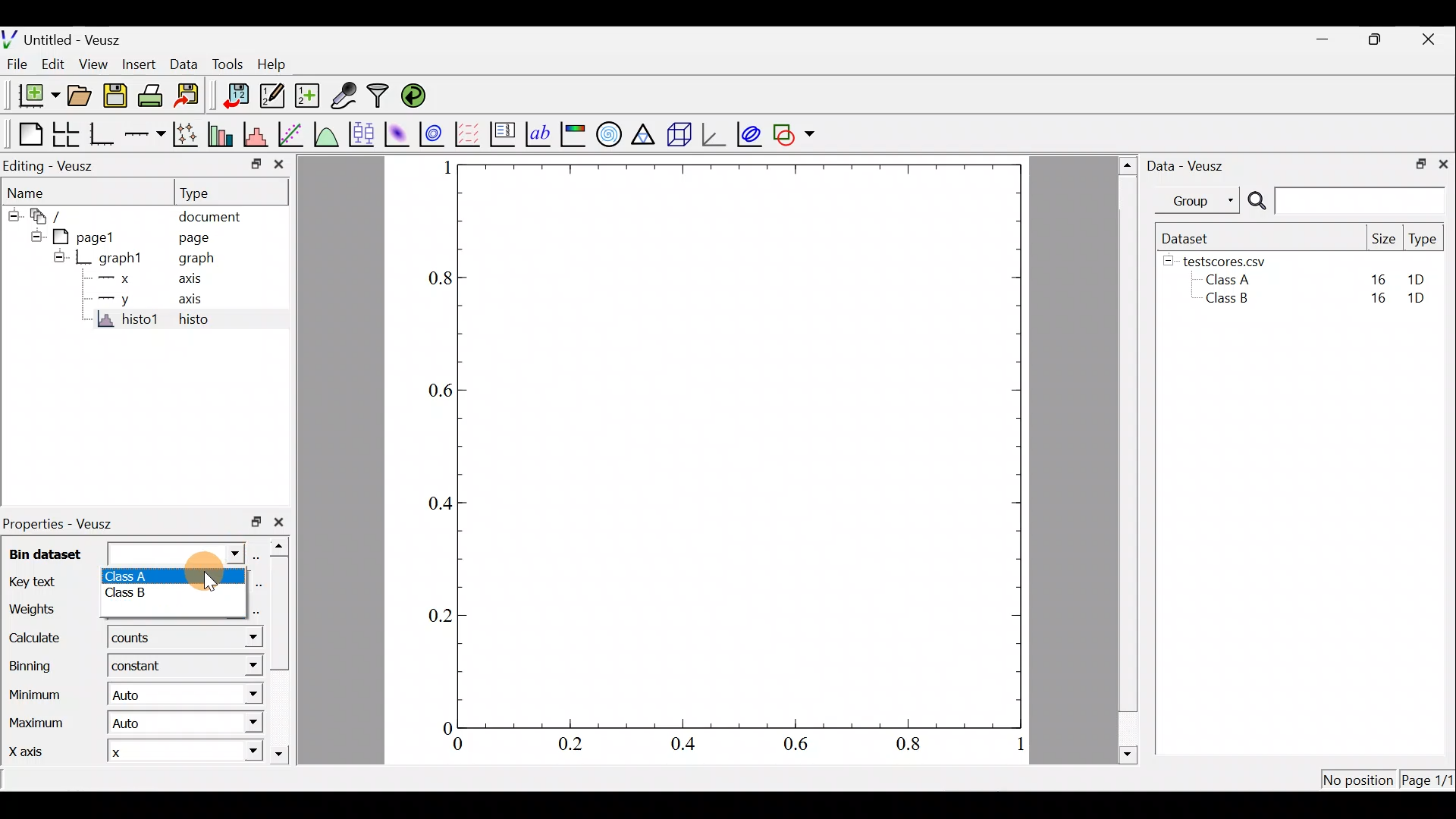 This screenshot has height=819, width=1456. I want to click on graph1, so click(113, 257).